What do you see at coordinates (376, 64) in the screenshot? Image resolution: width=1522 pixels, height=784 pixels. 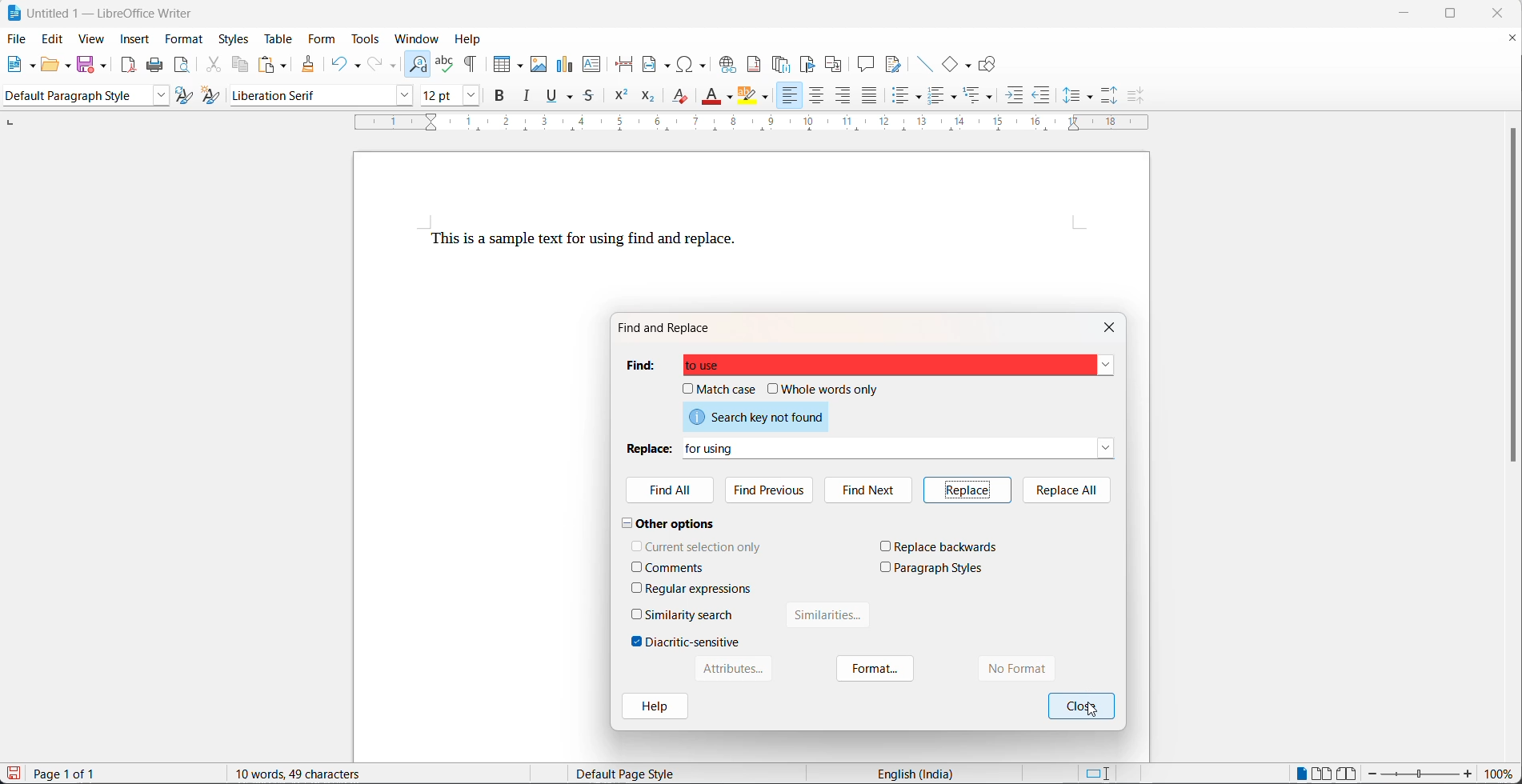 I see `redo` at bounding box center [376, 64].